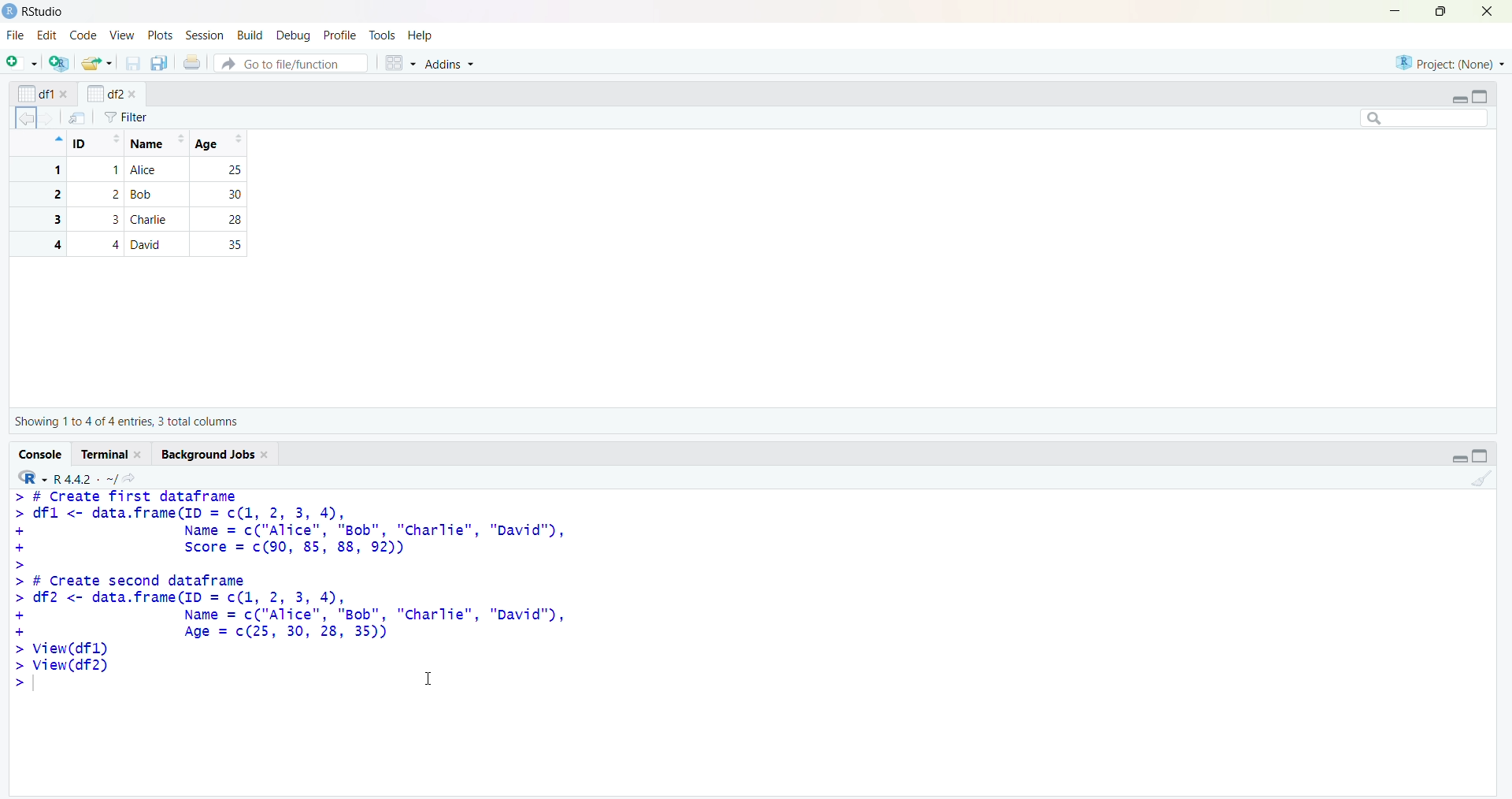 The width and height of the screenshot is (1512, 799). Describe the element at coordinates (1443, 11) in the screenshot. I see `maximize` at that location.